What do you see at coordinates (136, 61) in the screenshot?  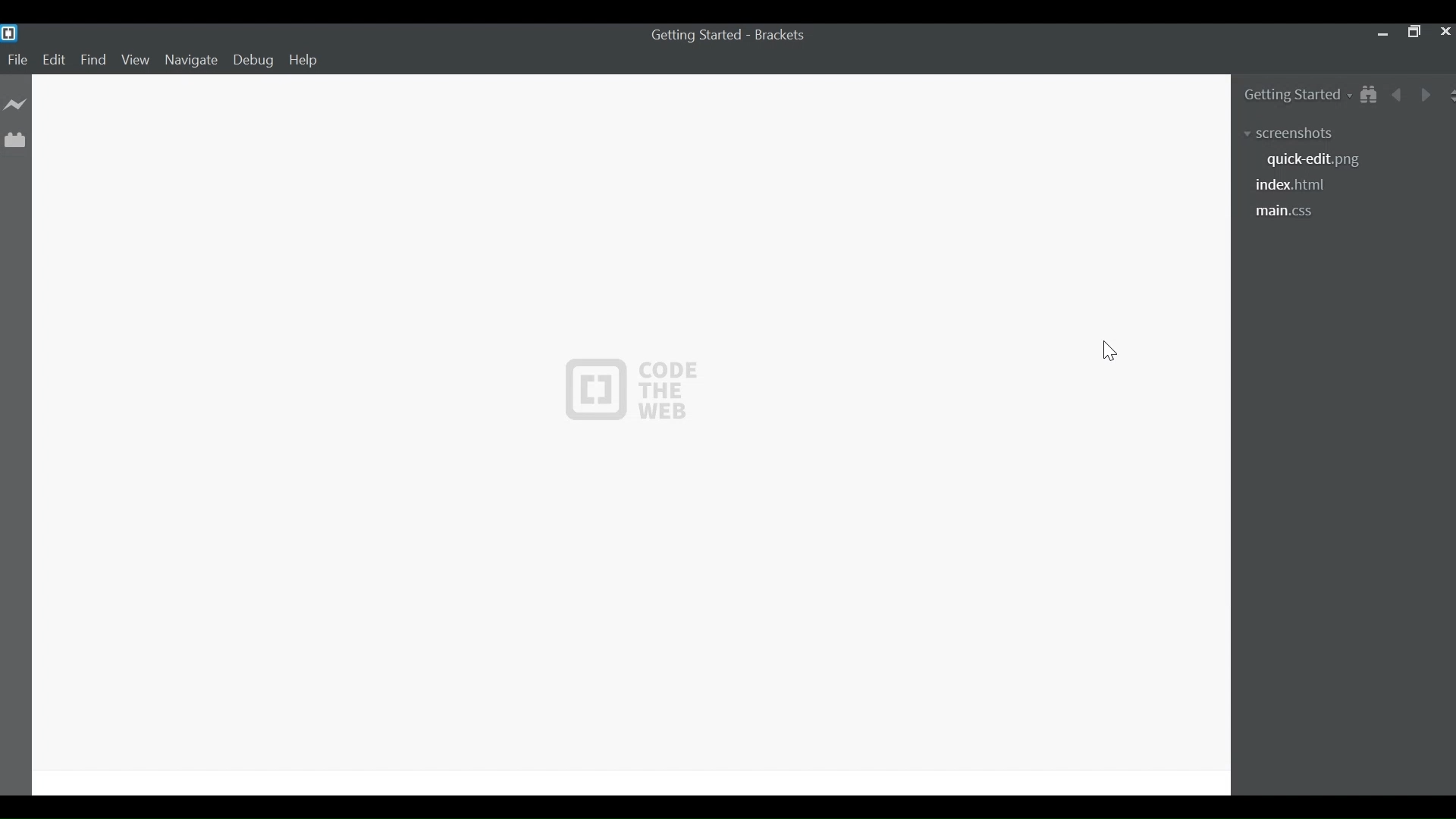 I see `View` at bounding box center [136, 61].